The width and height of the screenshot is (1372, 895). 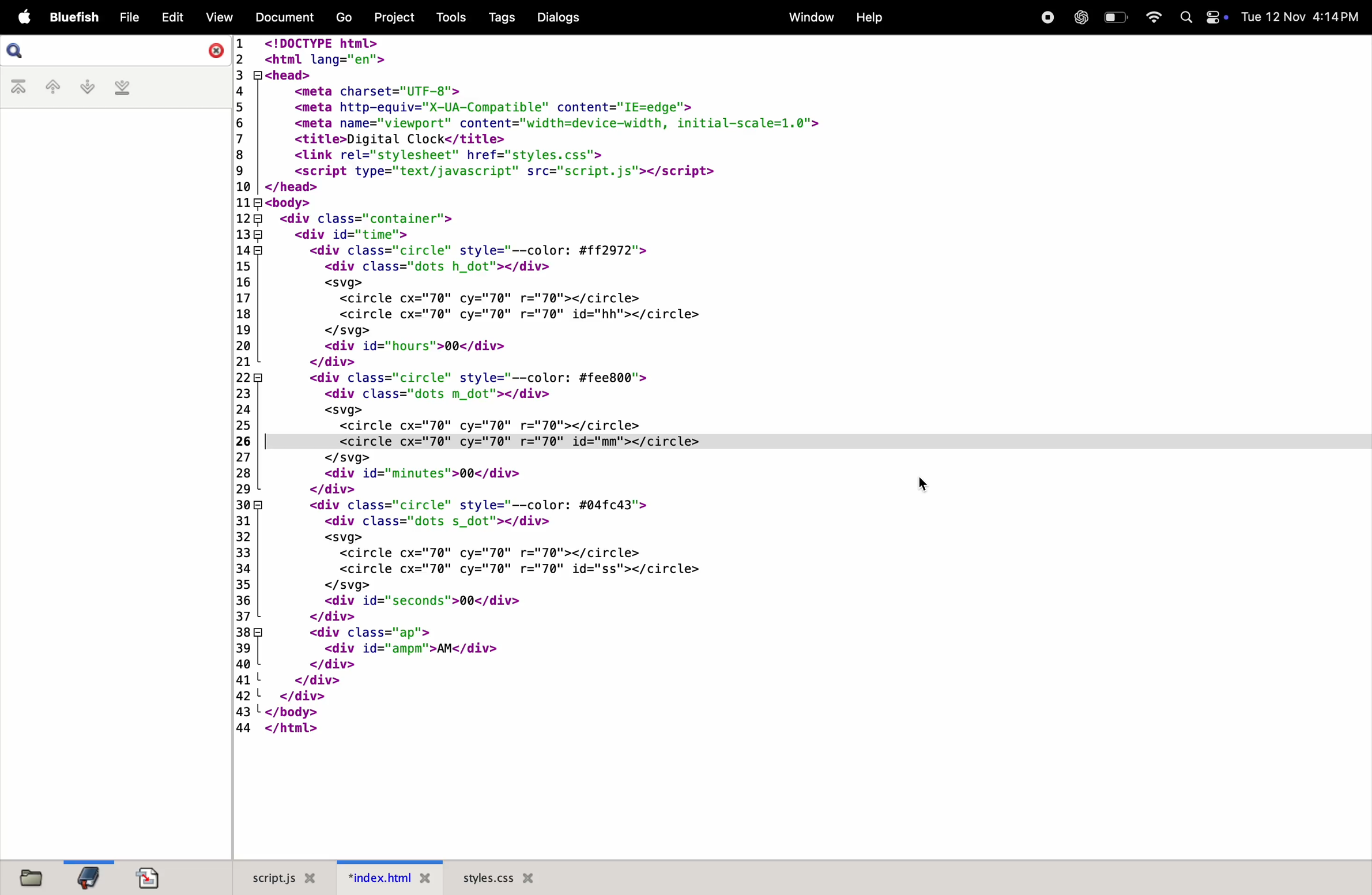 What do you see at coordinates (240, 389) in the screenshot?
I see `line number` at bounding box center [240, 389].